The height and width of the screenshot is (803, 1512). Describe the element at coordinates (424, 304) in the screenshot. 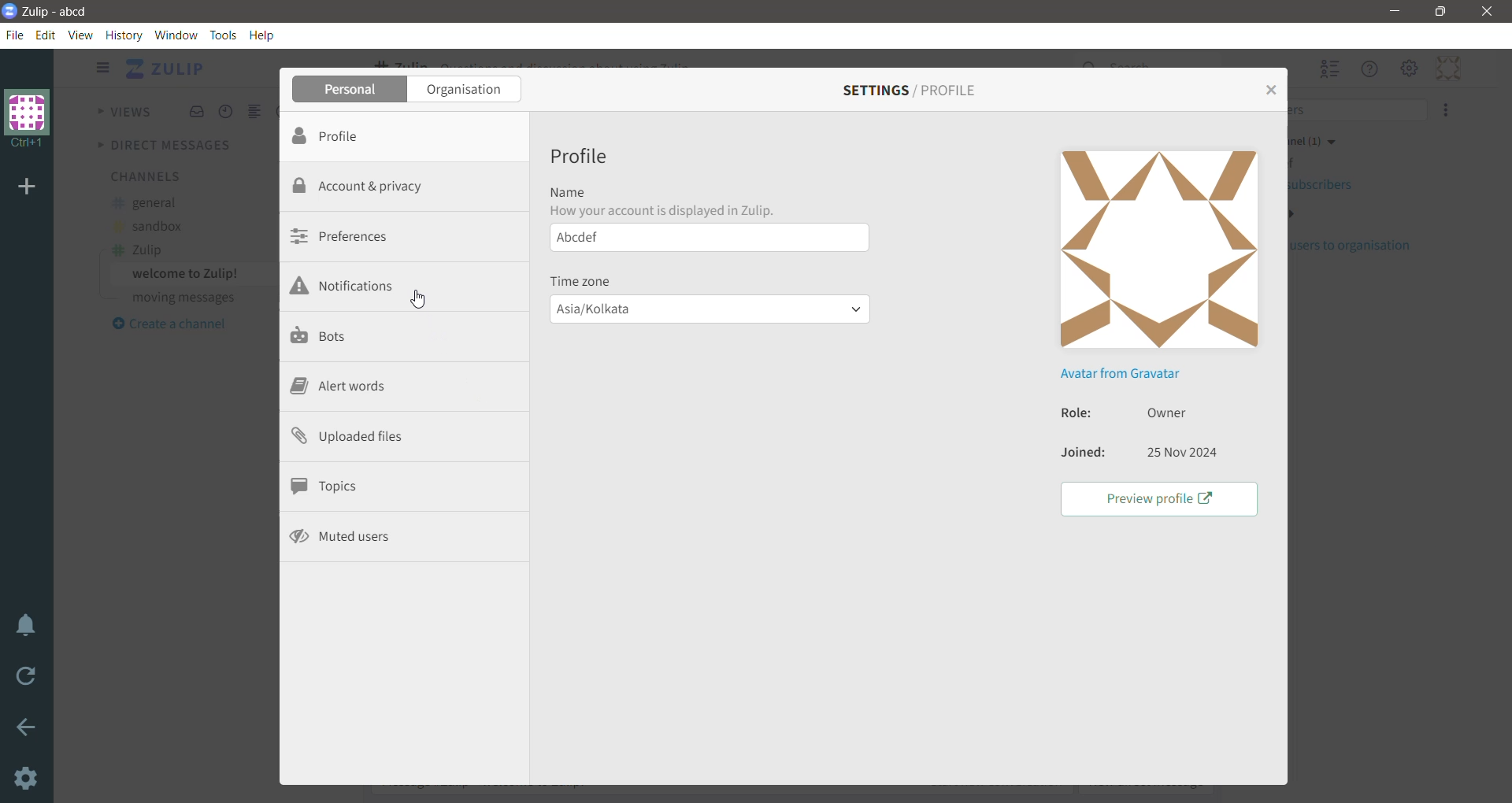

I see `Pointer` at that location.